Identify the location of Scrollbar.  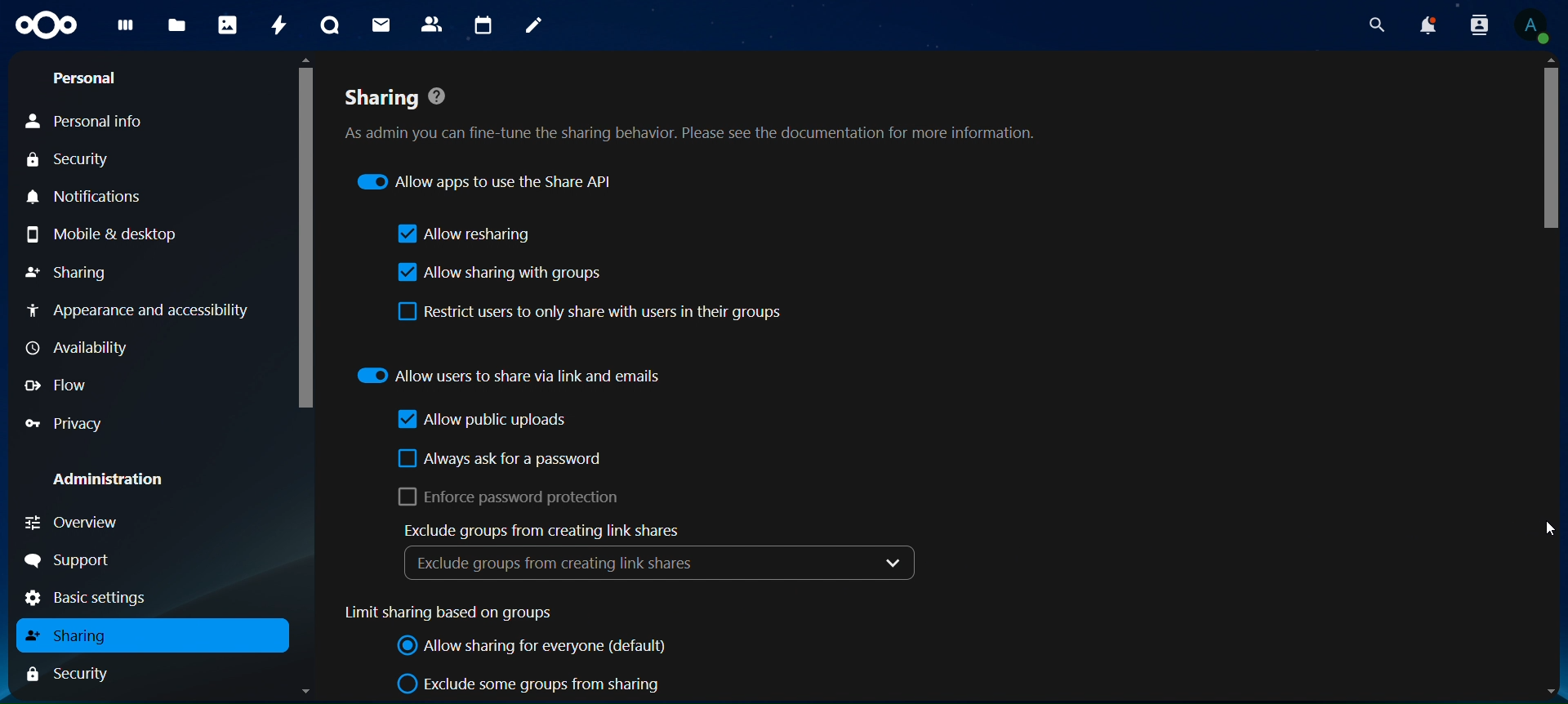
(1552, 377).